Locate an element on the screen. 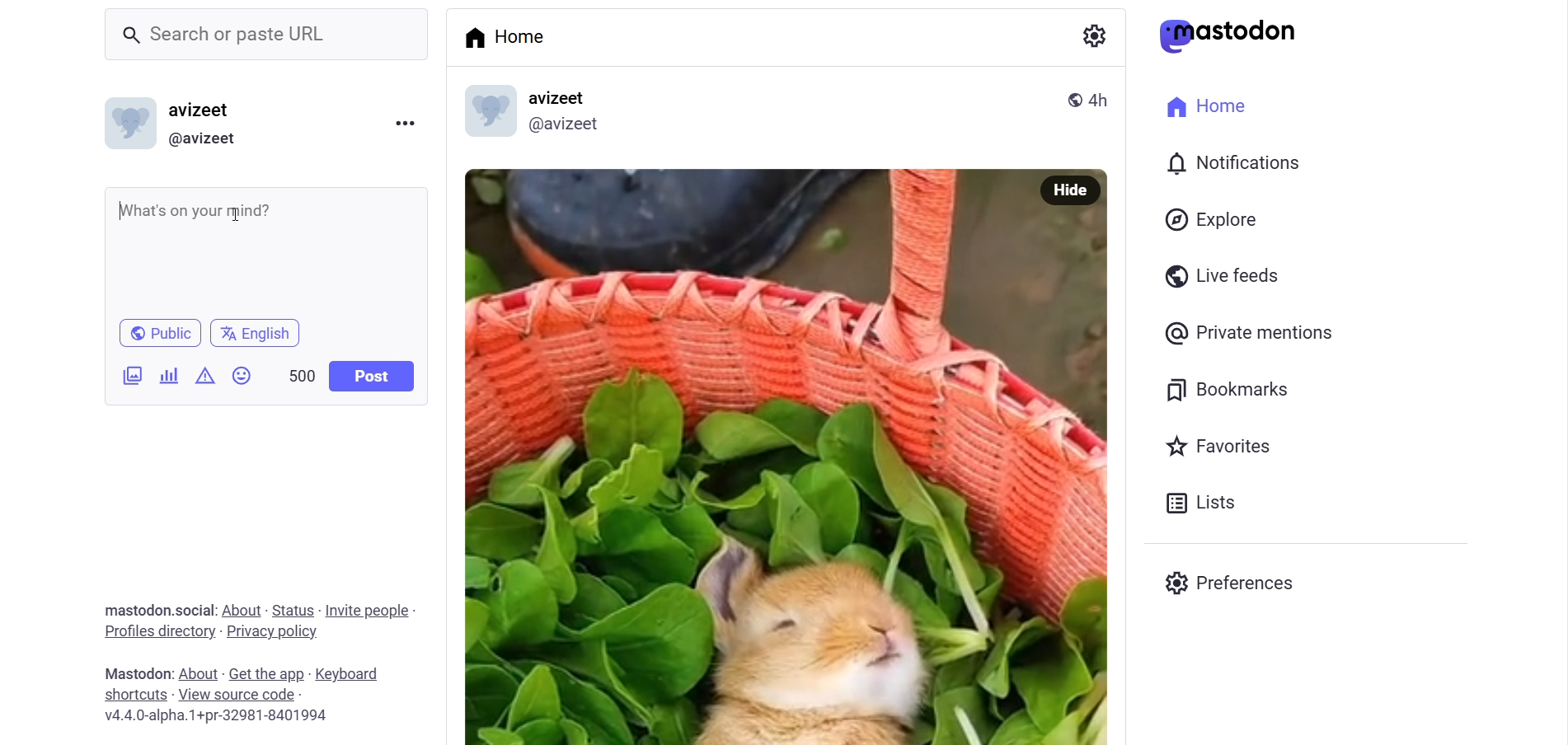  Live Feeds is located at coordinates (1222, 275).